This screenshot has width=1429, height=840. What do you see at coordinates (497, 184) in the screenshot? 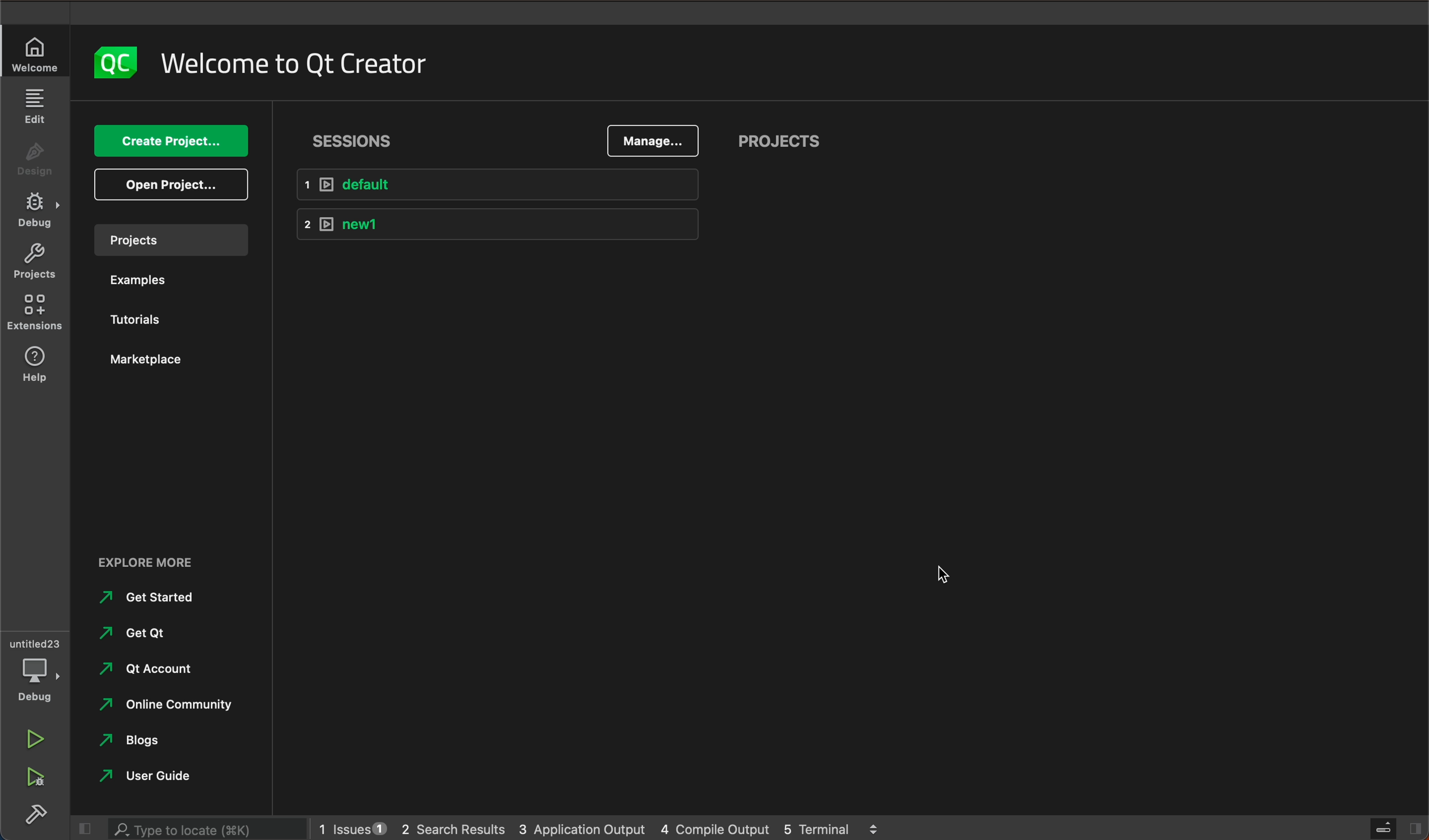
I see `default` at bounding box center [497, 184].